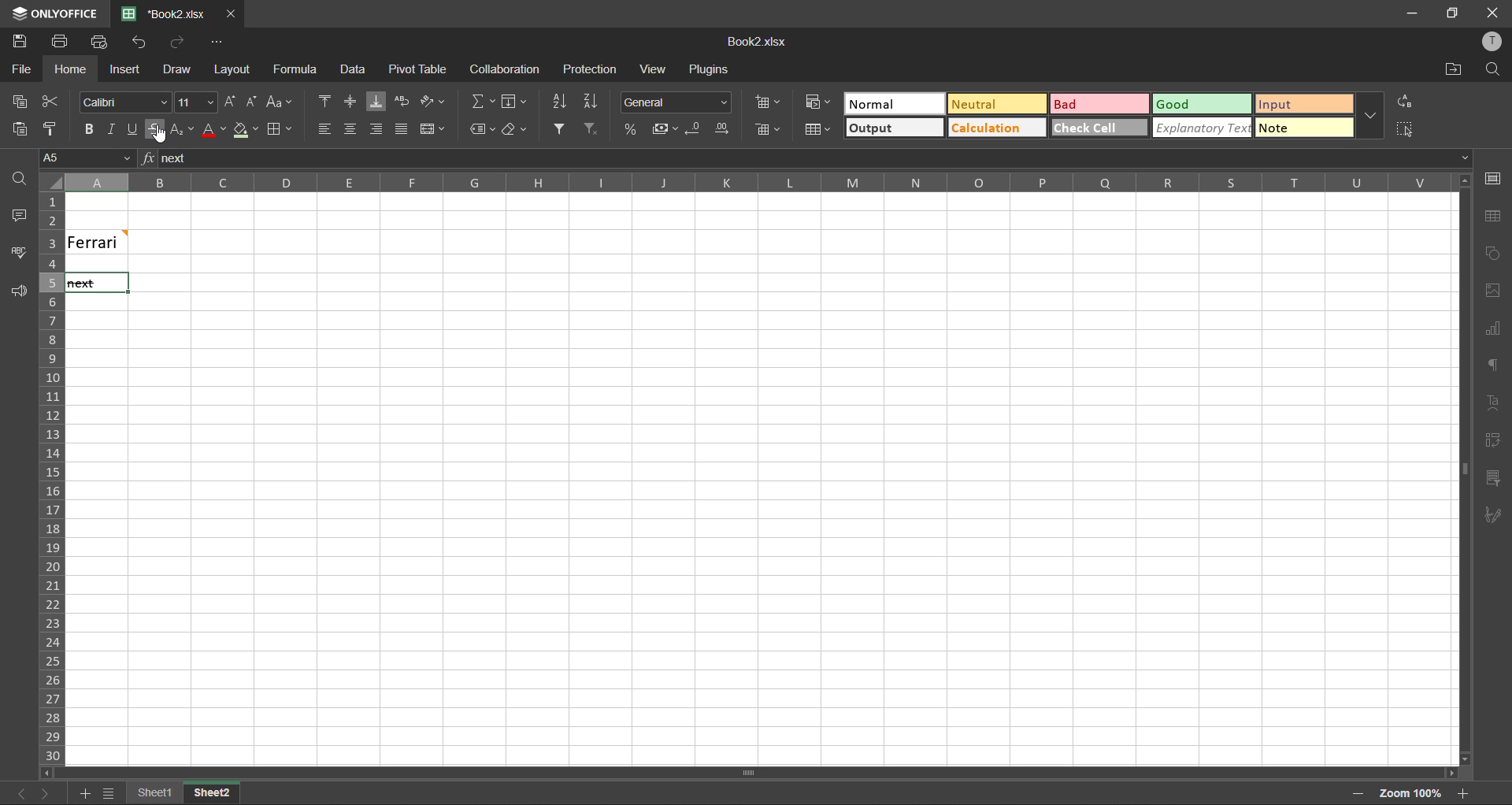 The width and height of the screenshot is (1512, 805). Describe the element at coordinates (233, 102) in the screenshot. I see `increment size` at that location.